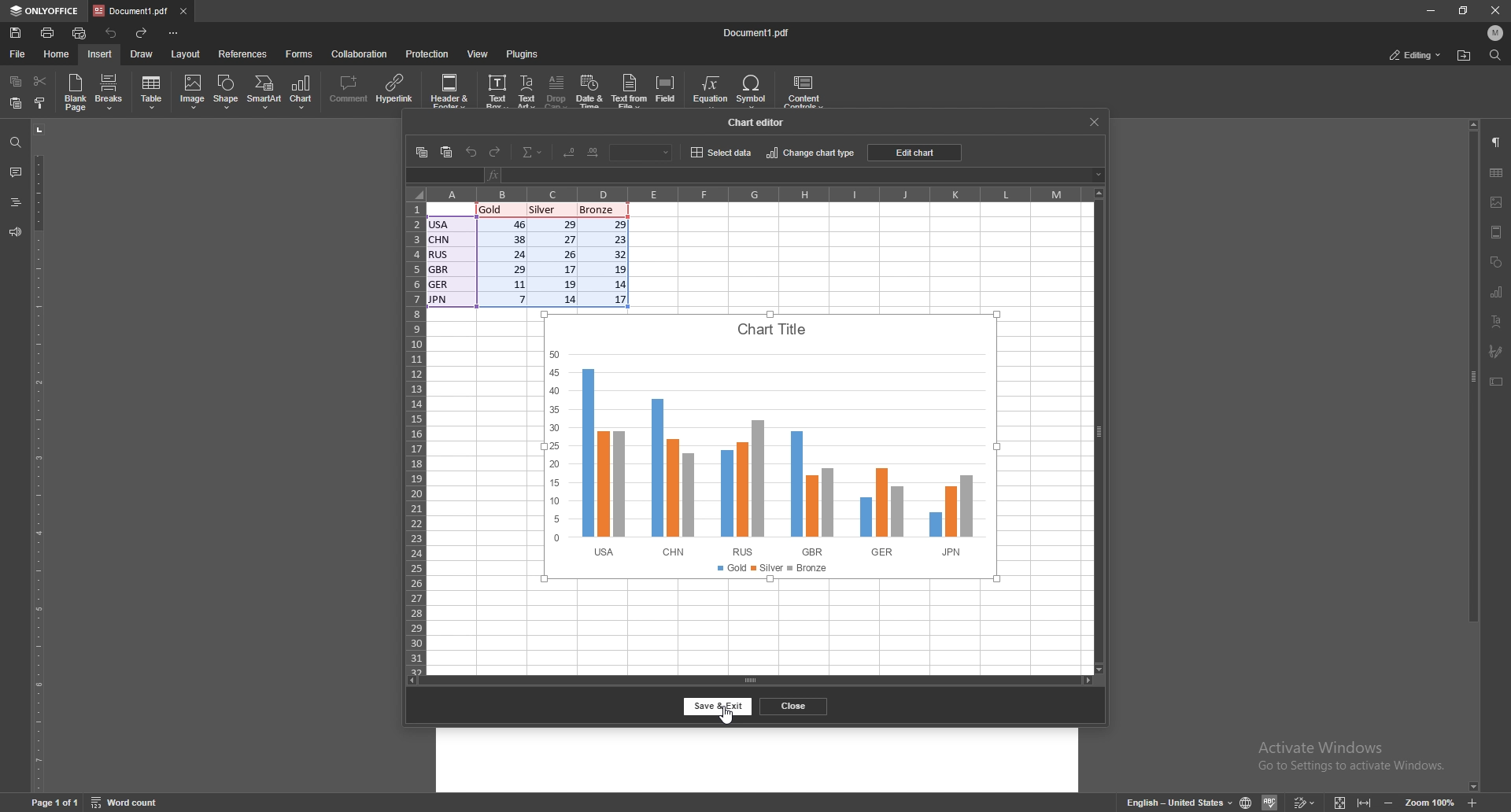  Describe the element at coordinates (36, 458) in the screenshot. I see `vertical scale` at that location.